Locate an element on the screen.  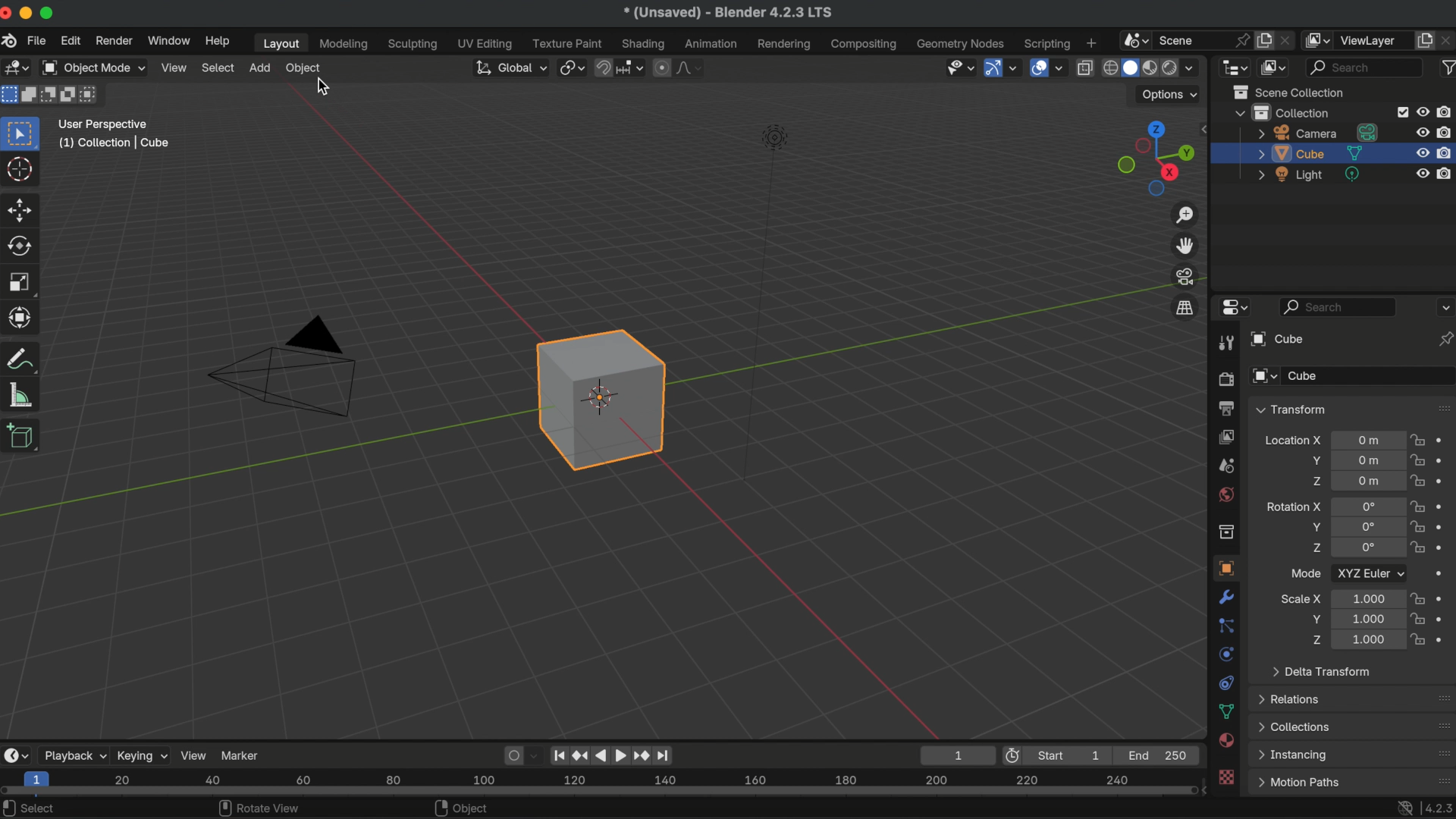
layout is located at coordinates (278, 43).